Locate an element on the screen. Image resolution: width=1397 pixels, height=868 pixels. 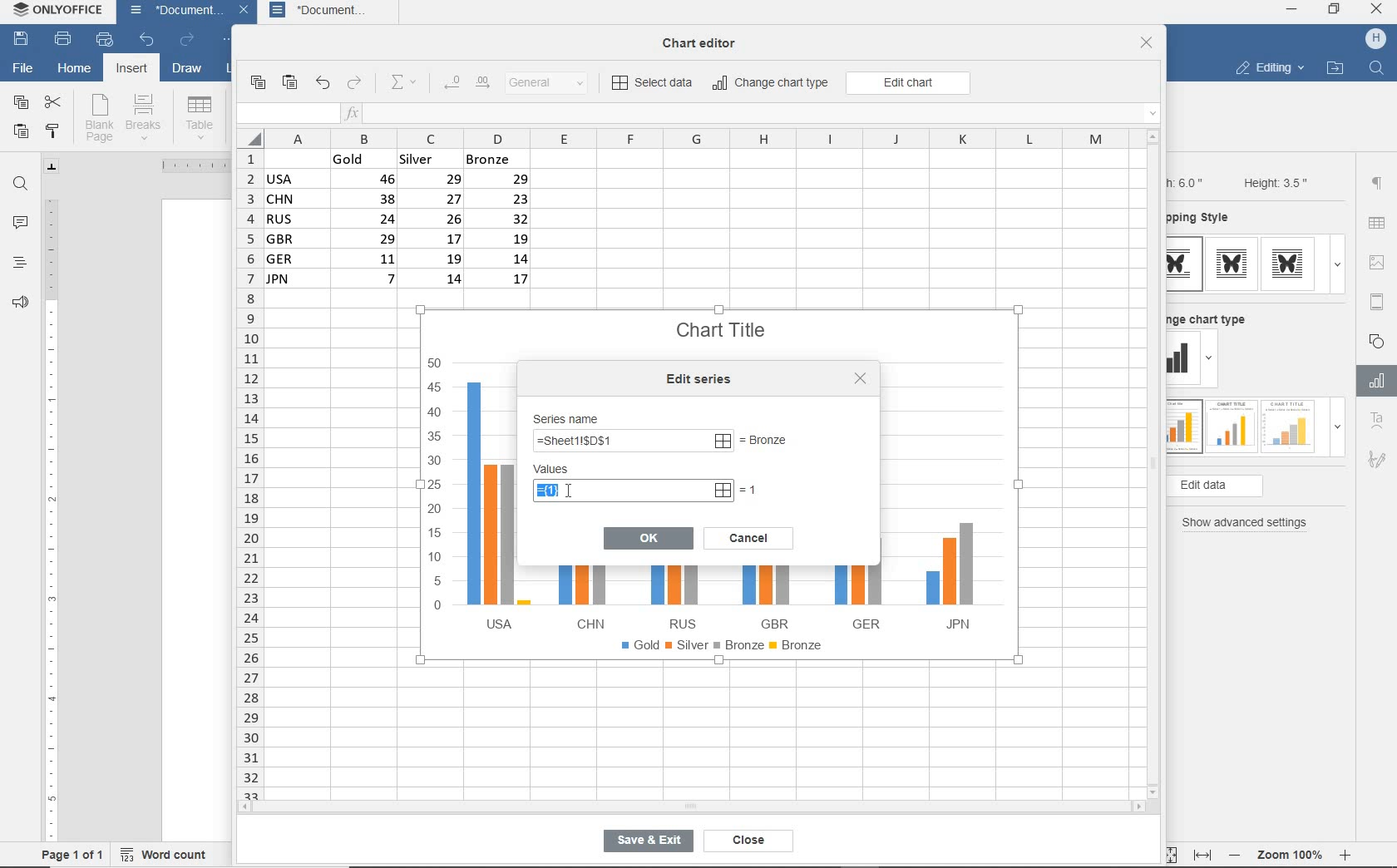
horizontal scroll bar is located at coordinates (690, 806).